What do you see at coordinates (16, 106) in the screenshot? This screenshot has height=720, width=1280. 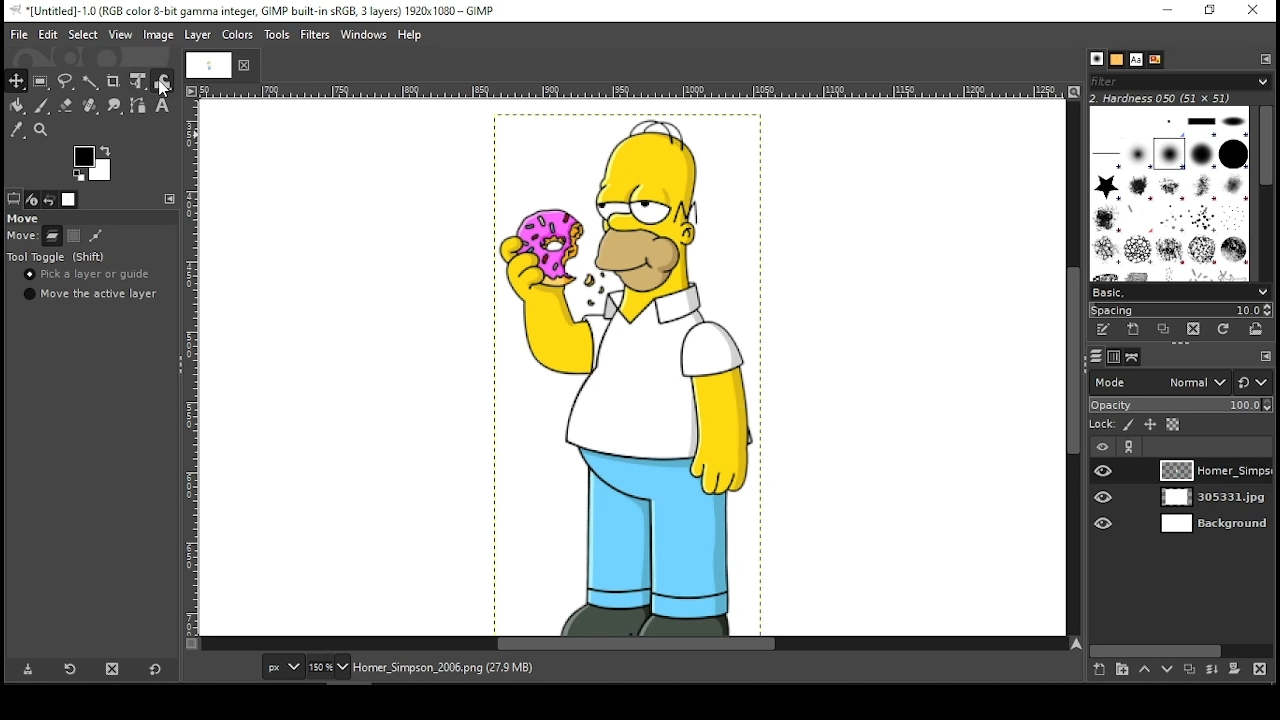 I see `painbucket tool` at bounding box center [16, 106].